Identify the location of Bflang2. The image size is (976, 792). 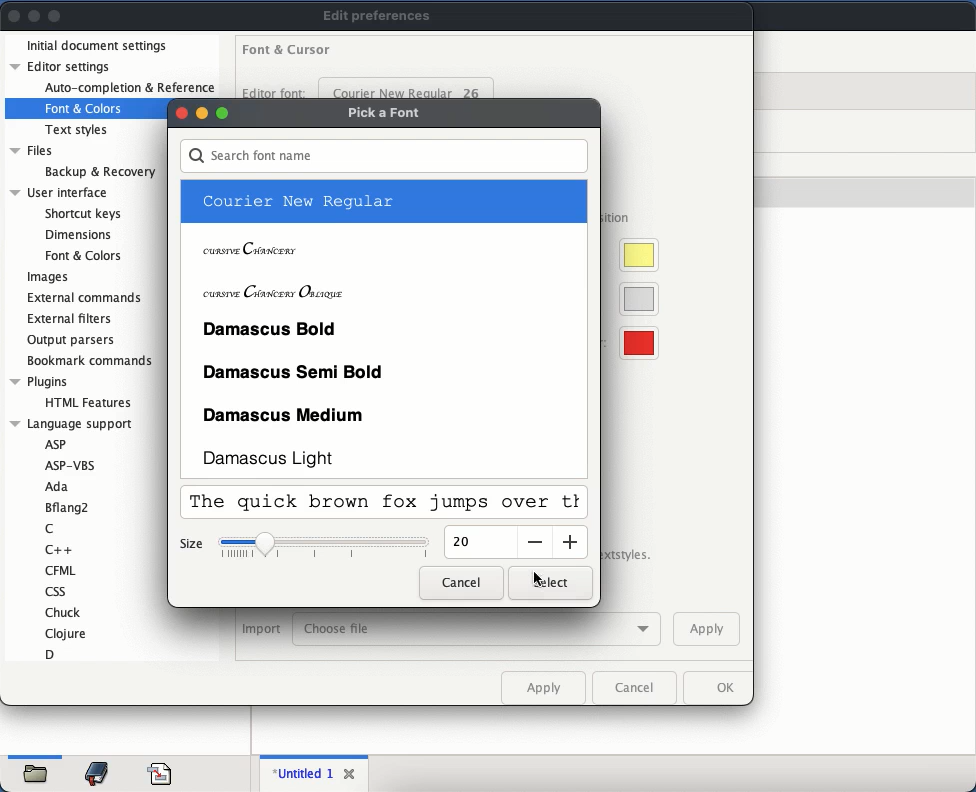
(67, 507).